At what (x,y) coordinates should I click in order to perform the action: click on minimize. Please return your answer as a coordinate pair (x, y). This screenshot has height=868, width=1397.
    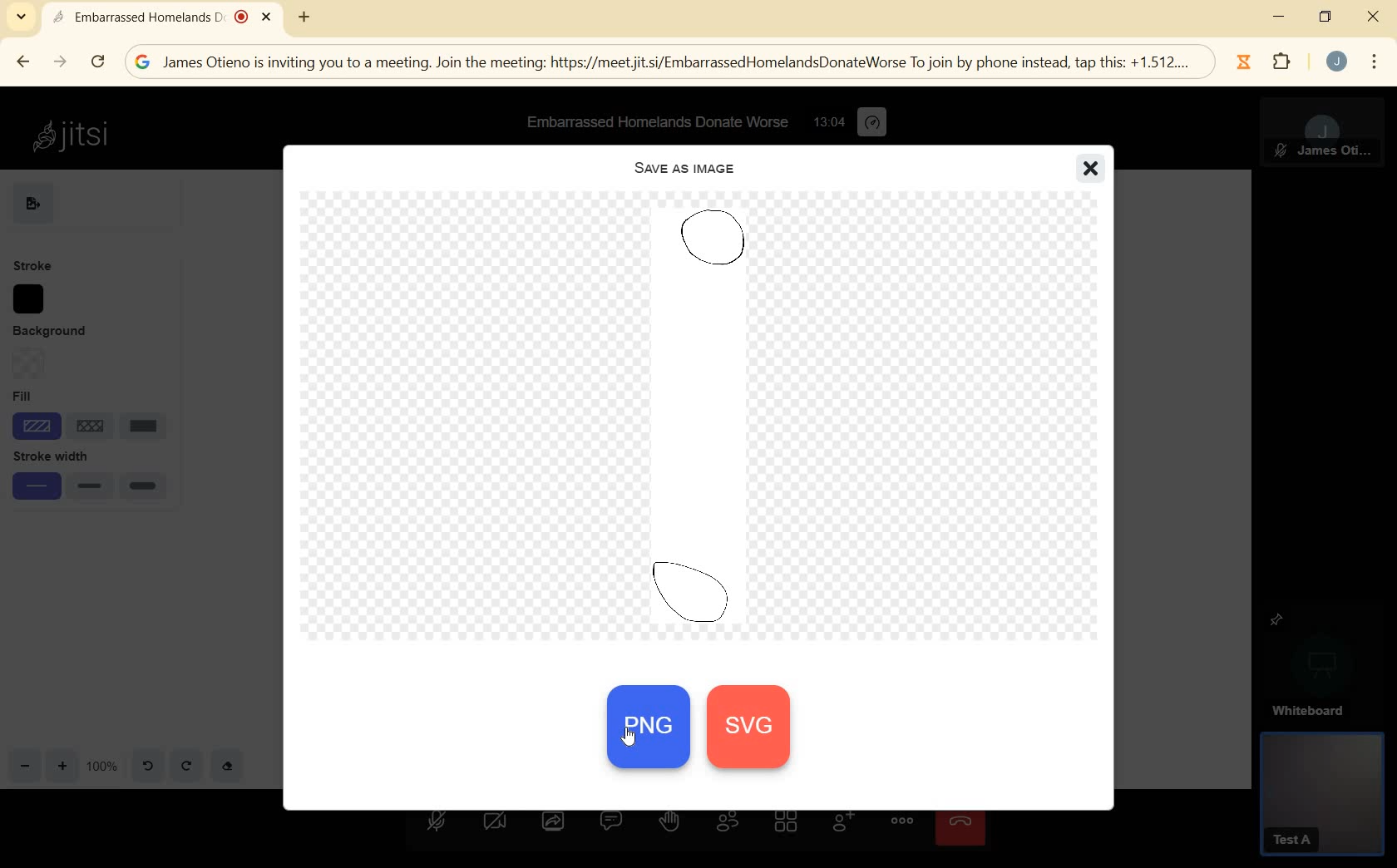
    Looking at the image, I should click on (1278, 16).